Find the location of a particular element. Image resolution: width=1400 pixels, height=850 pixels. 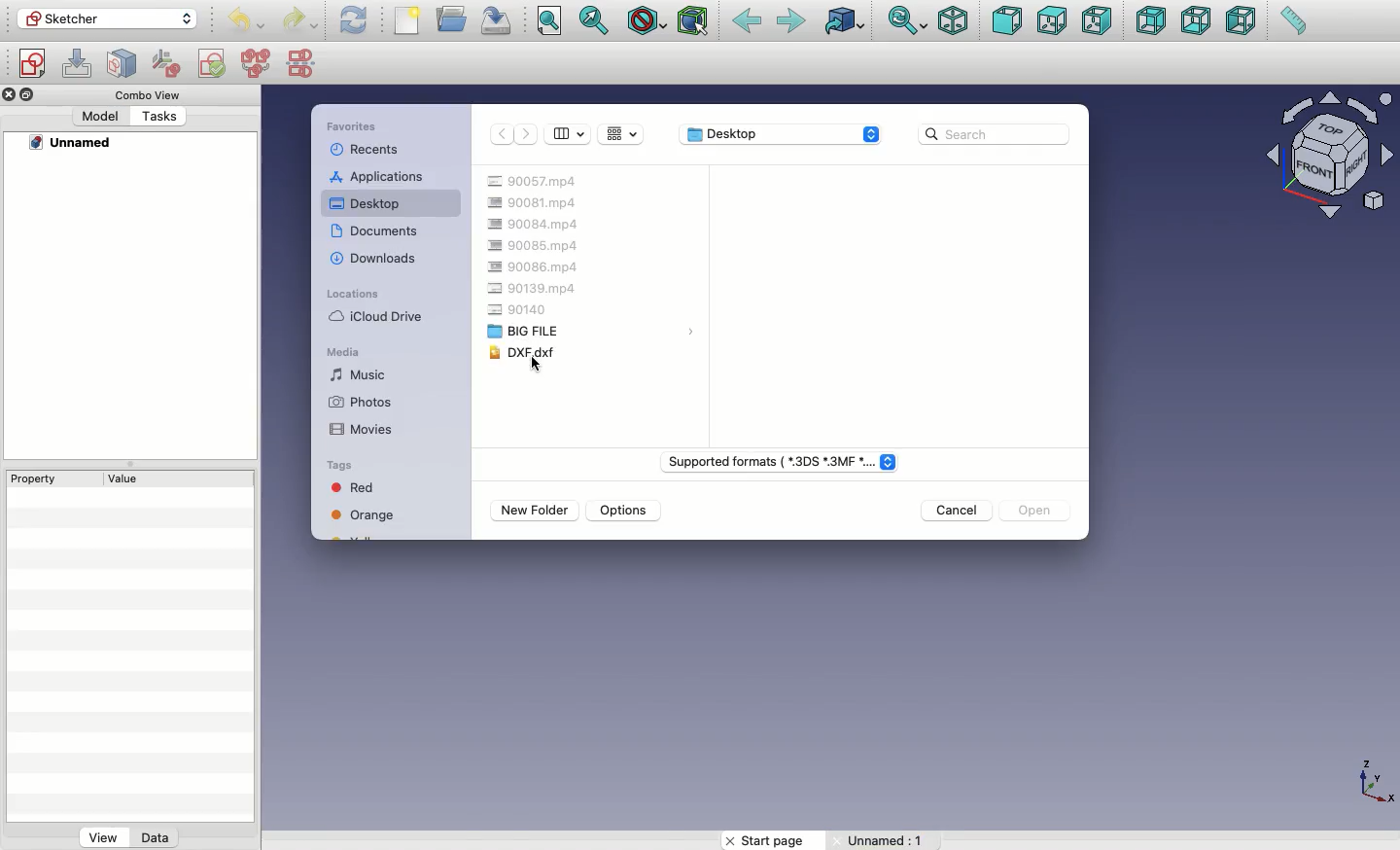

 90140 is located at coordinates (519, 310).